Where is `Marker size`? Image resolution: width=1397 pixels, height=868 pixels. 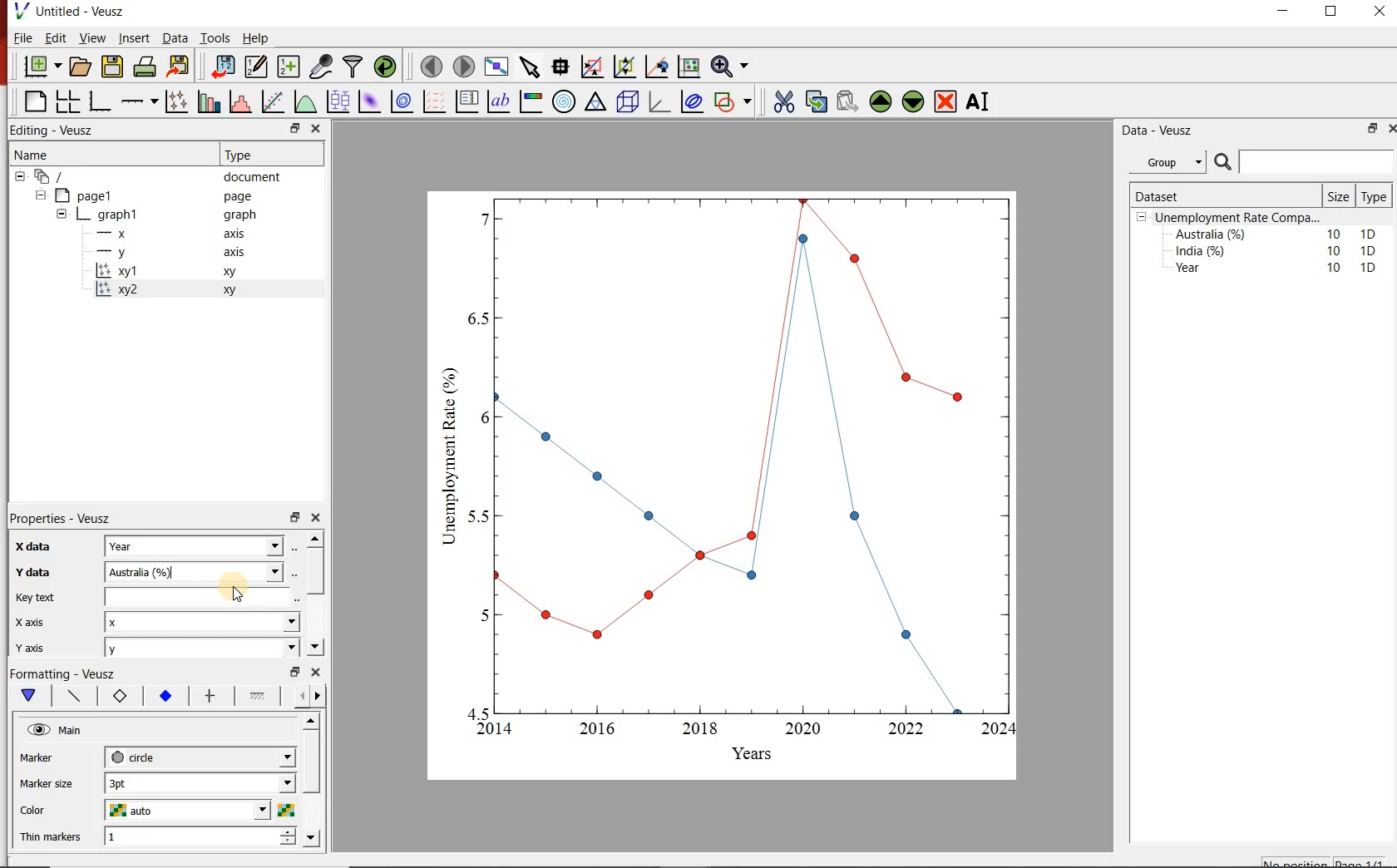 Marker size is located at coordinates (48, 782).